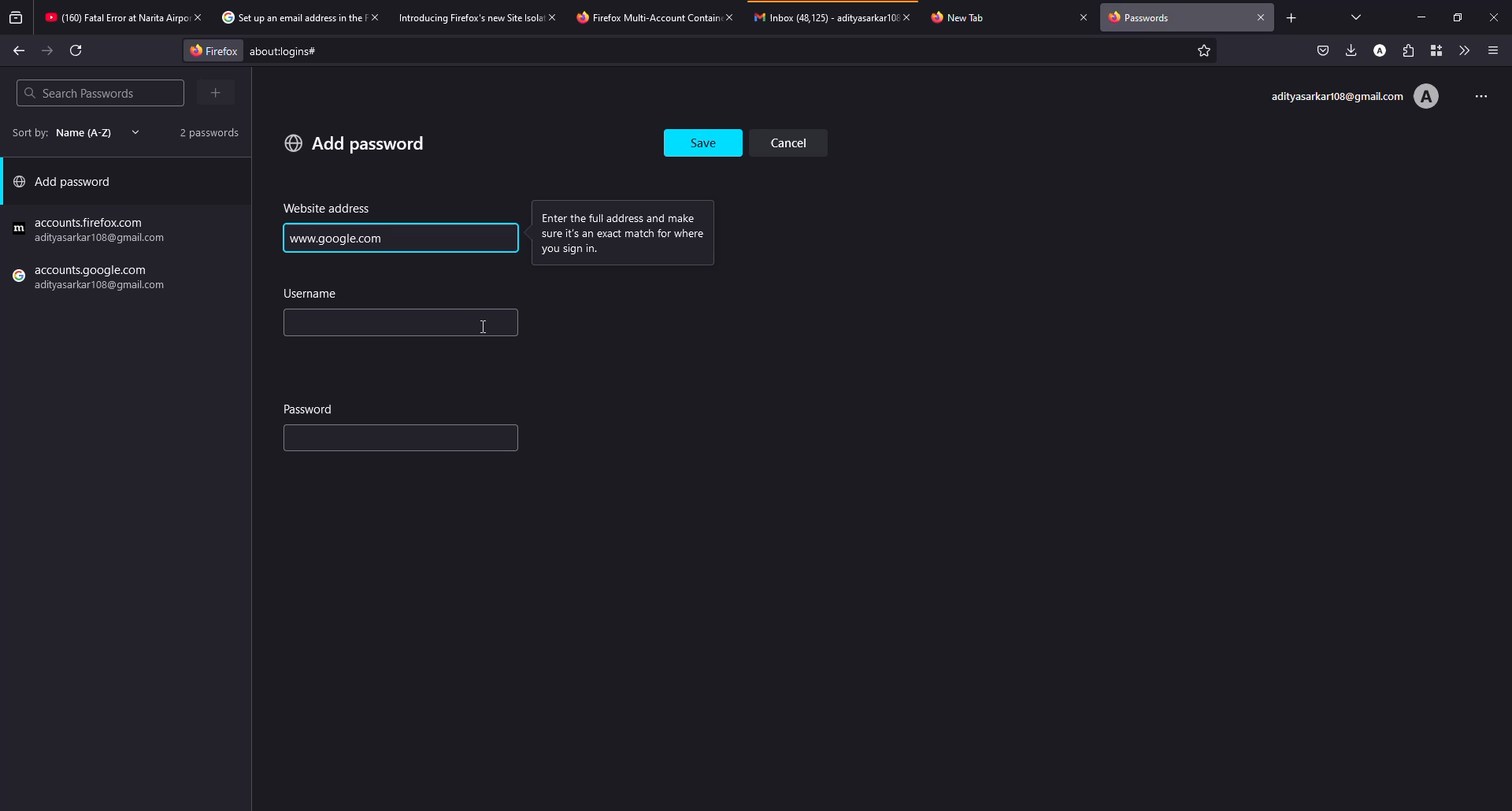 This screenshot has width=1512, height=811. I want to click on 2 passwords, so click(203, 131).